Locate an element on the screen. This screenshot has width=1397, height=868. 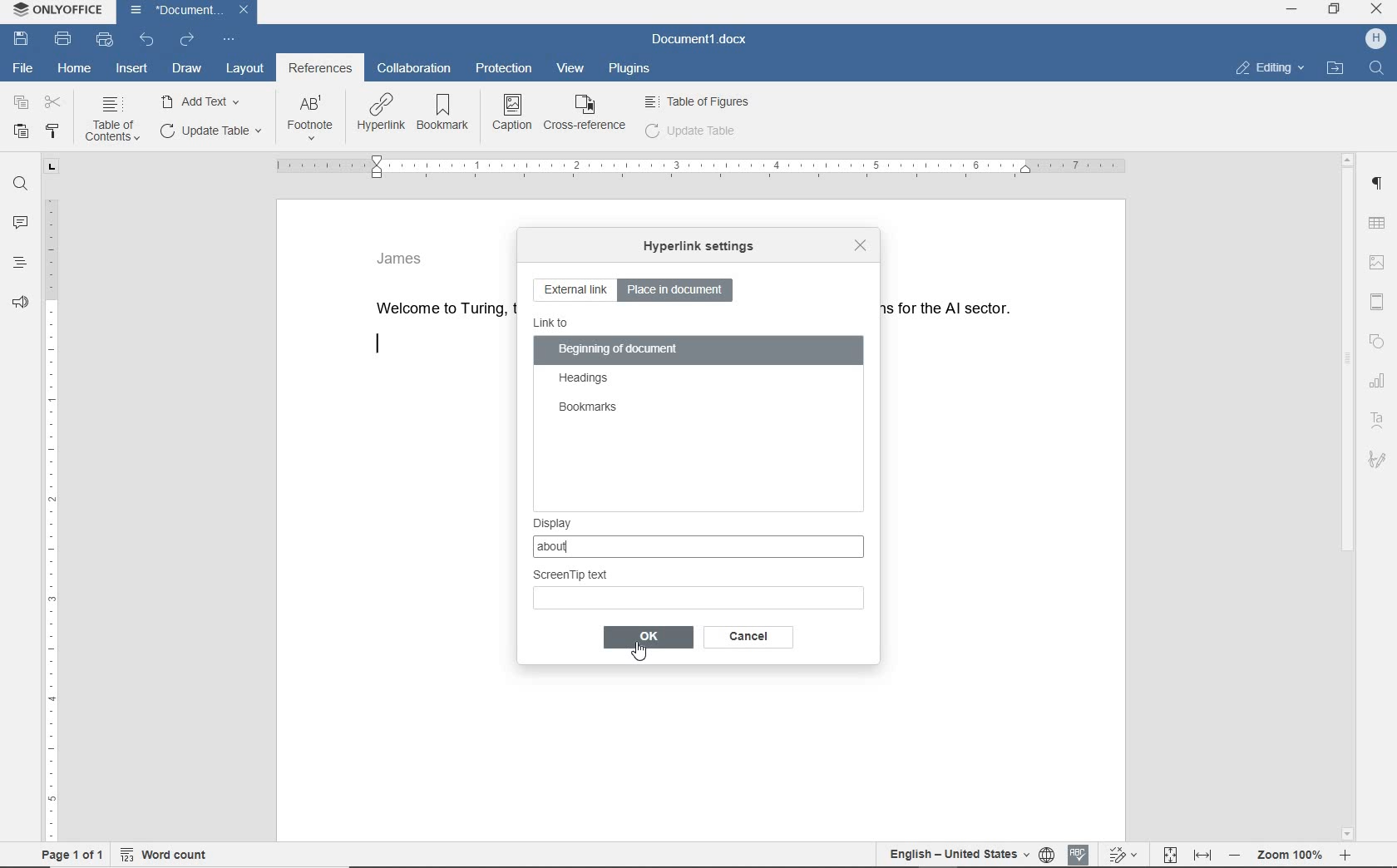
Screen Tip Text is located at coordinates (699, 587).